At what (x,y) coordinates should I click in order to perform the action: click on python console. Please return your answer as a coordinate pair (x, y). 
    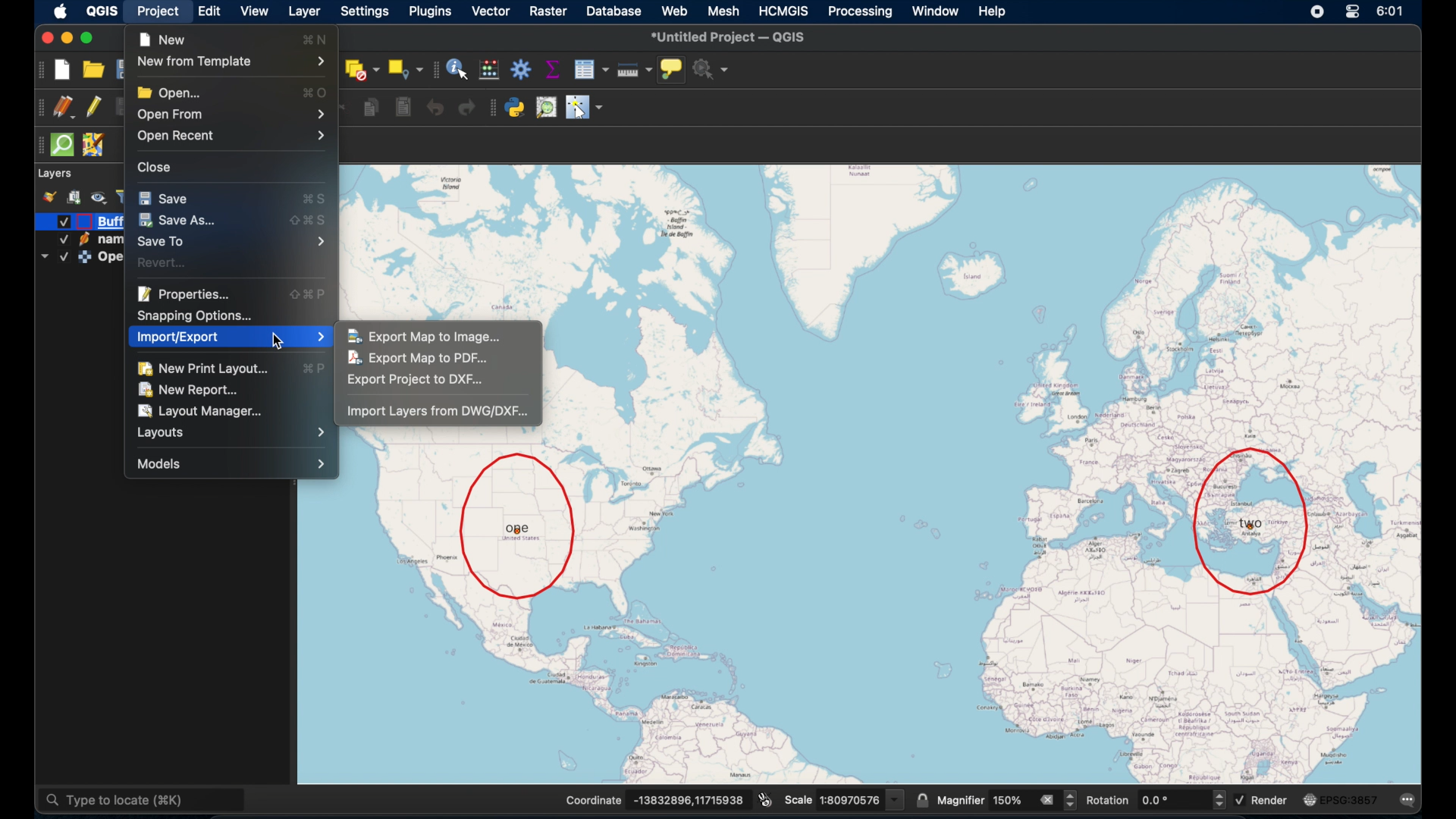
    Looking at the image, I should click on (515, 108).